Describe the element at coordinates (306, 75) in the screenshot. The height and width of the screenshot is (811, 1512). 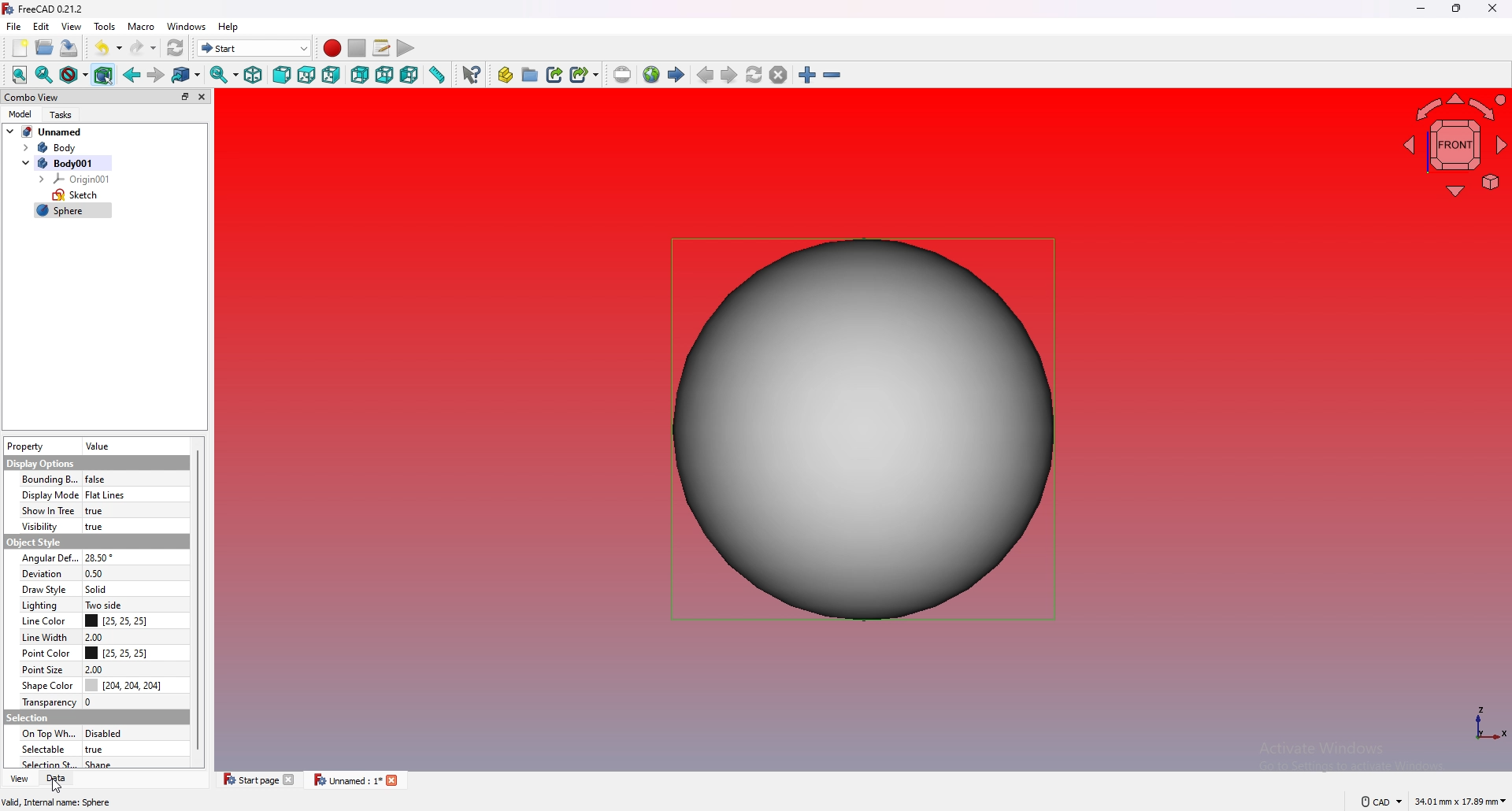
I see `top` at that location.